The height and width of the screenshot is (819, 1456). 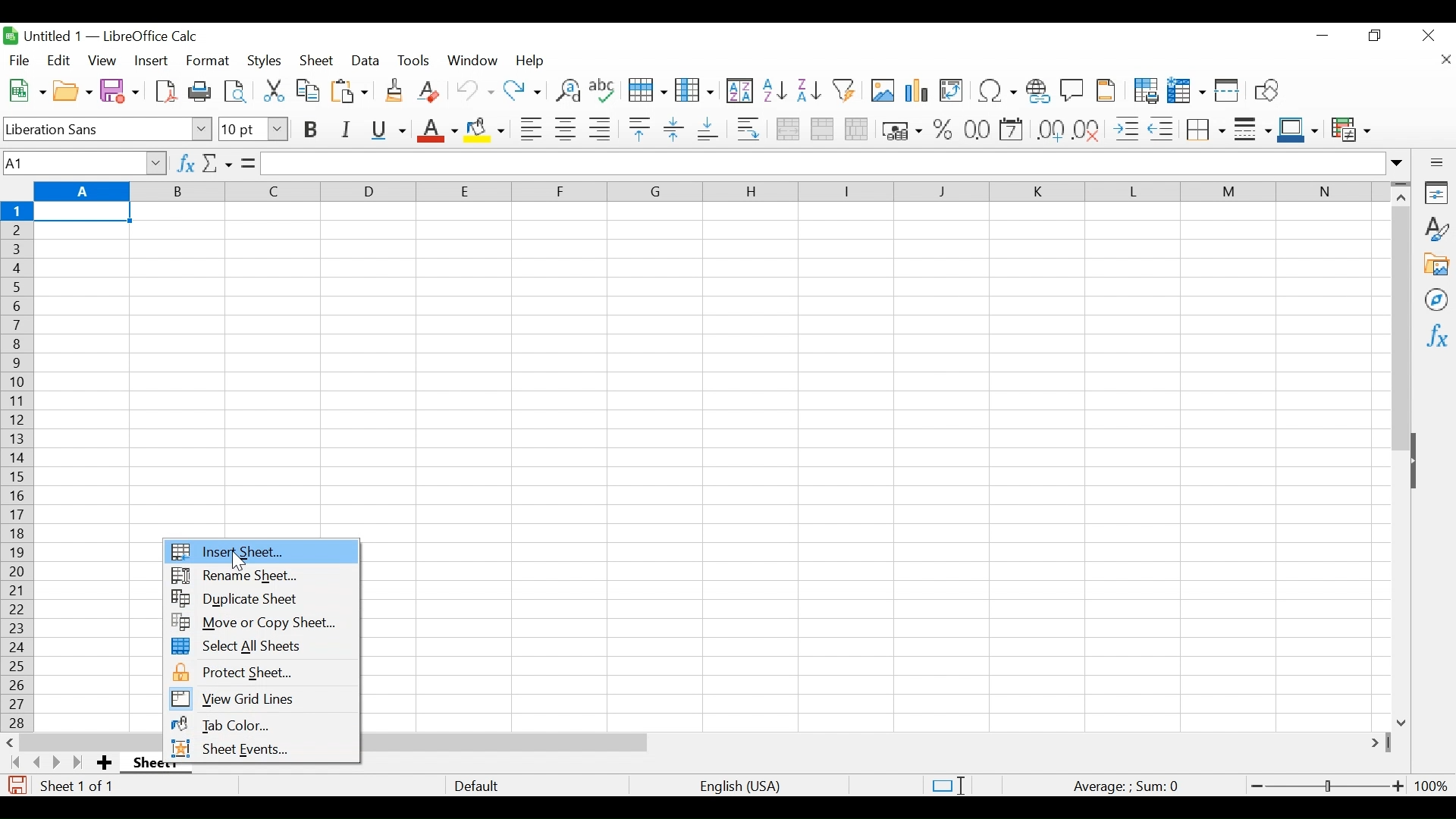 What do you see at coordinates (166, 90) in the screenshot?
I see `Save as PDF` at bounding box center [166, 90].